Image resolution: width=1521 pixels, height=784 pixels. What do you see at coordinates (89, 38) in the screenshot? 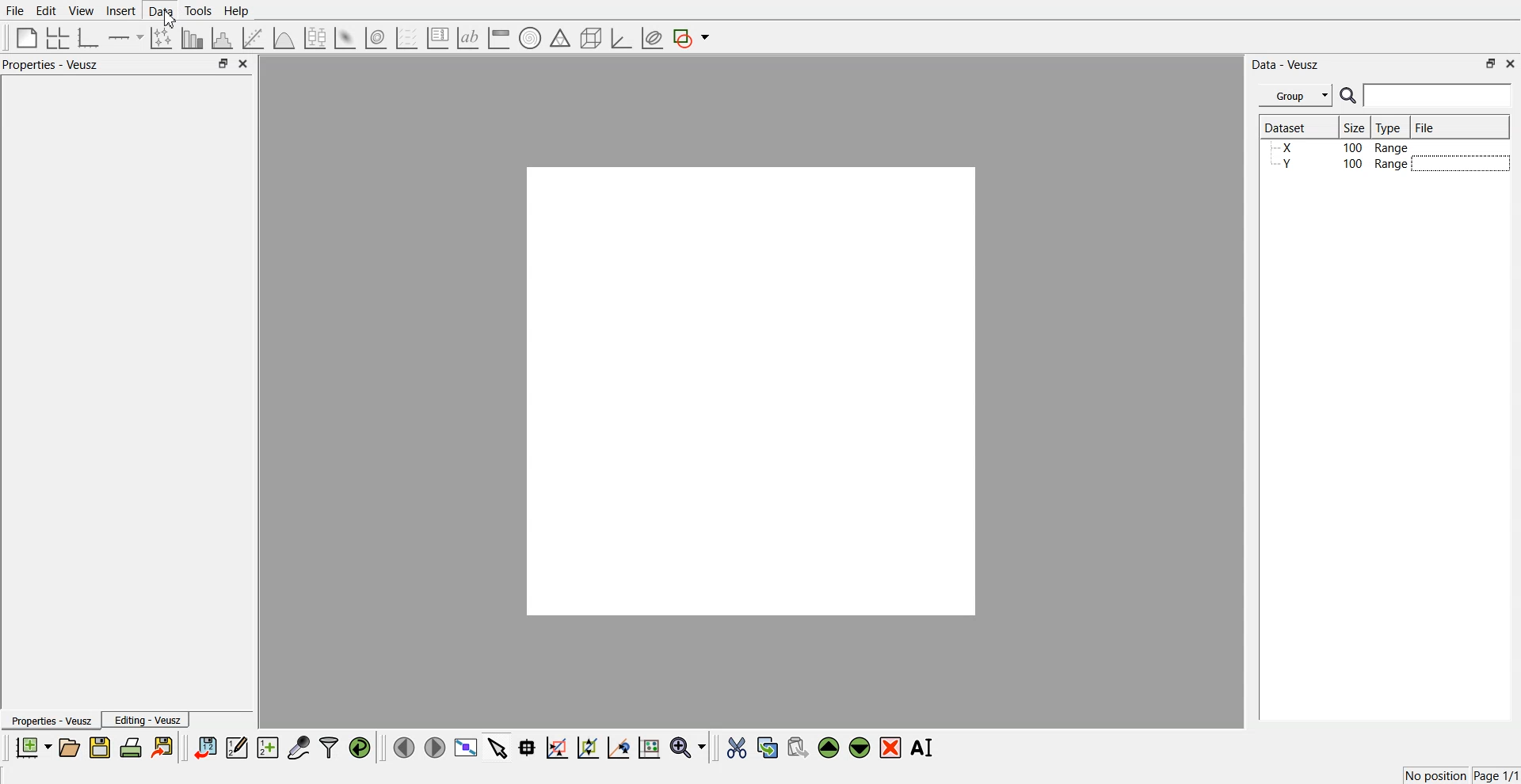
I see `Base Graph` at bounding box center [89, 38].